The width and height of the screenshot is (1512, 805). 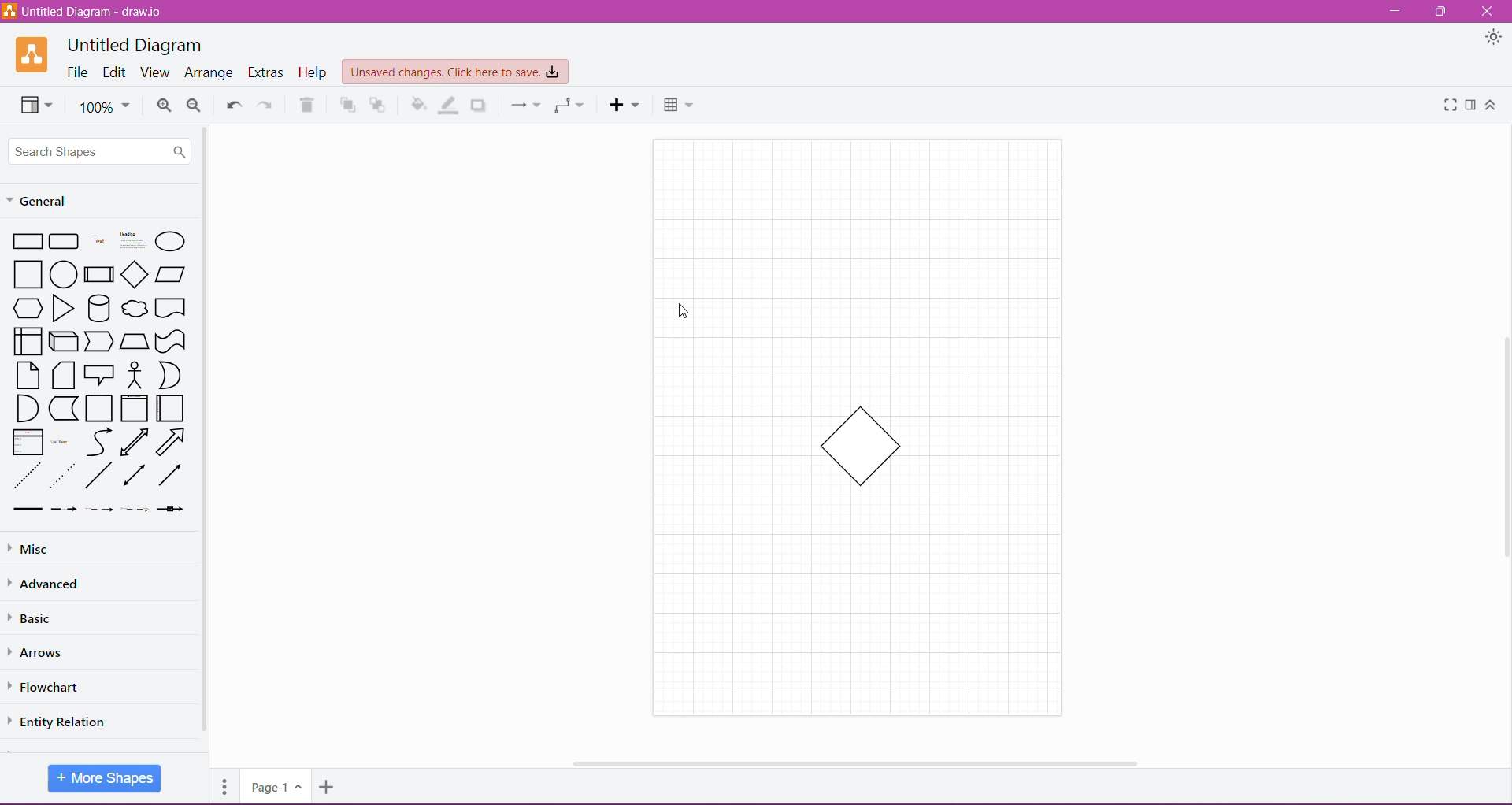 What do you see at coordinates (347, 106) in the screenshot?
I see `To Front` at bounding box center [347, 106].